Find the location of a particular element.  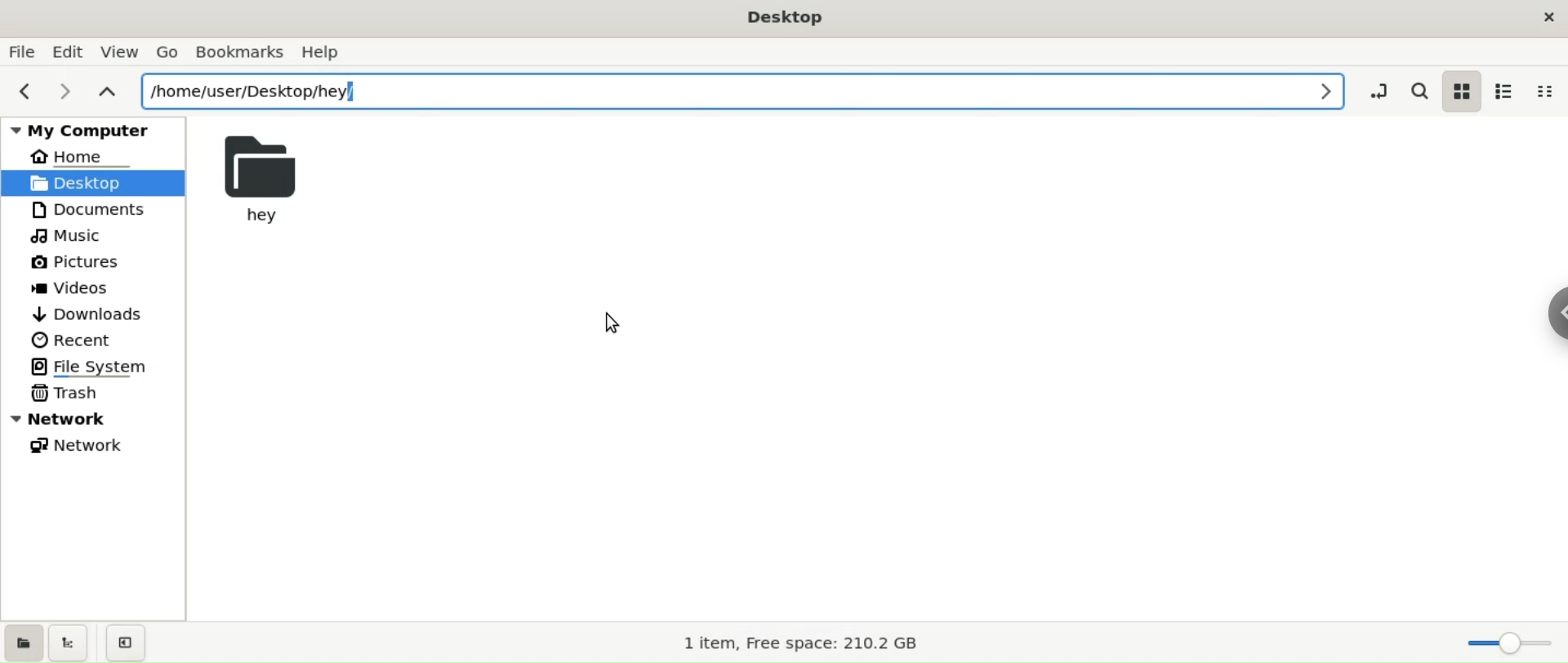

downloads is located at coordinates (91, 315).